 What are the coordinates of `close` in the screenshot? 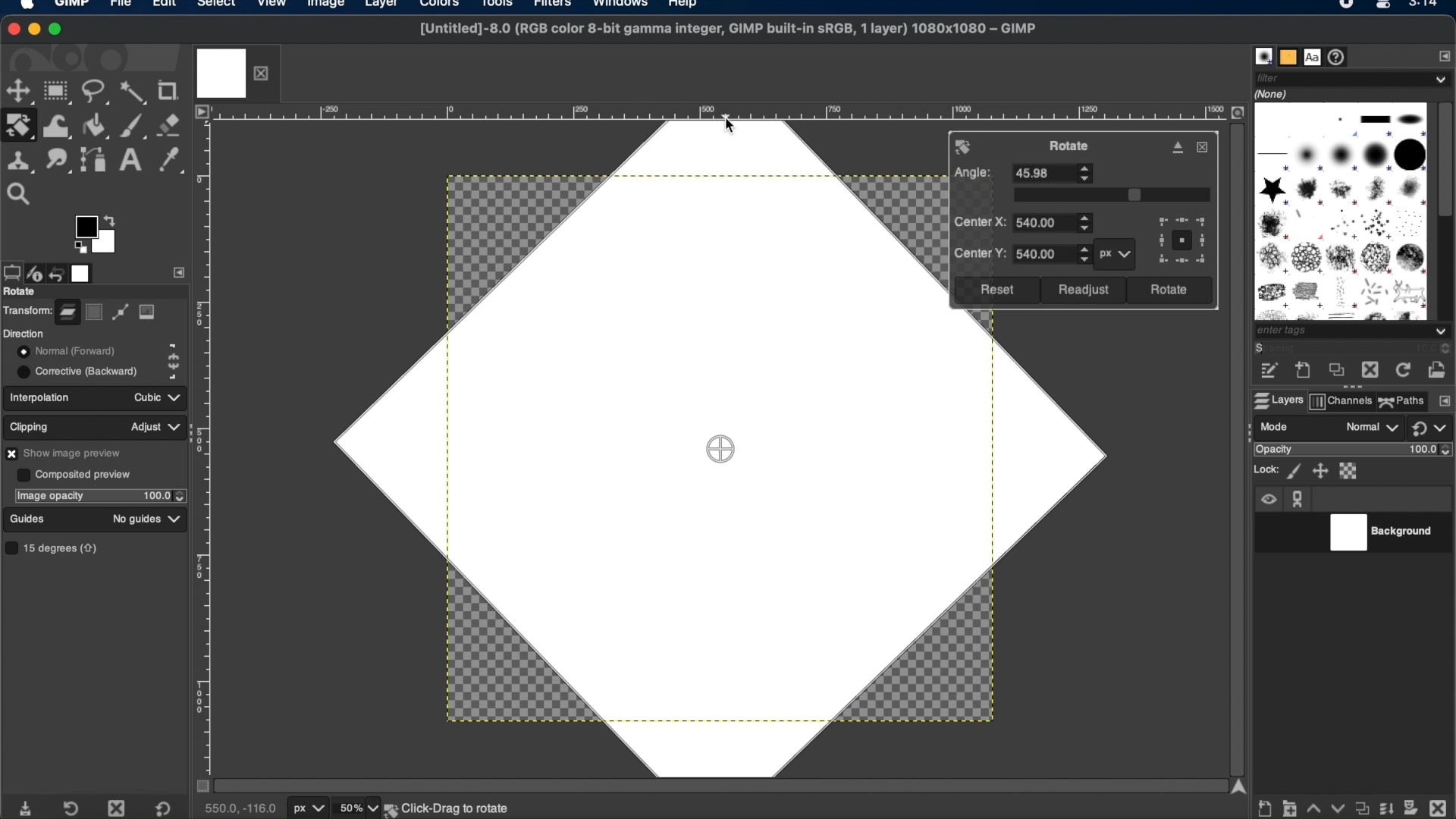 It's located at (1203, 147).